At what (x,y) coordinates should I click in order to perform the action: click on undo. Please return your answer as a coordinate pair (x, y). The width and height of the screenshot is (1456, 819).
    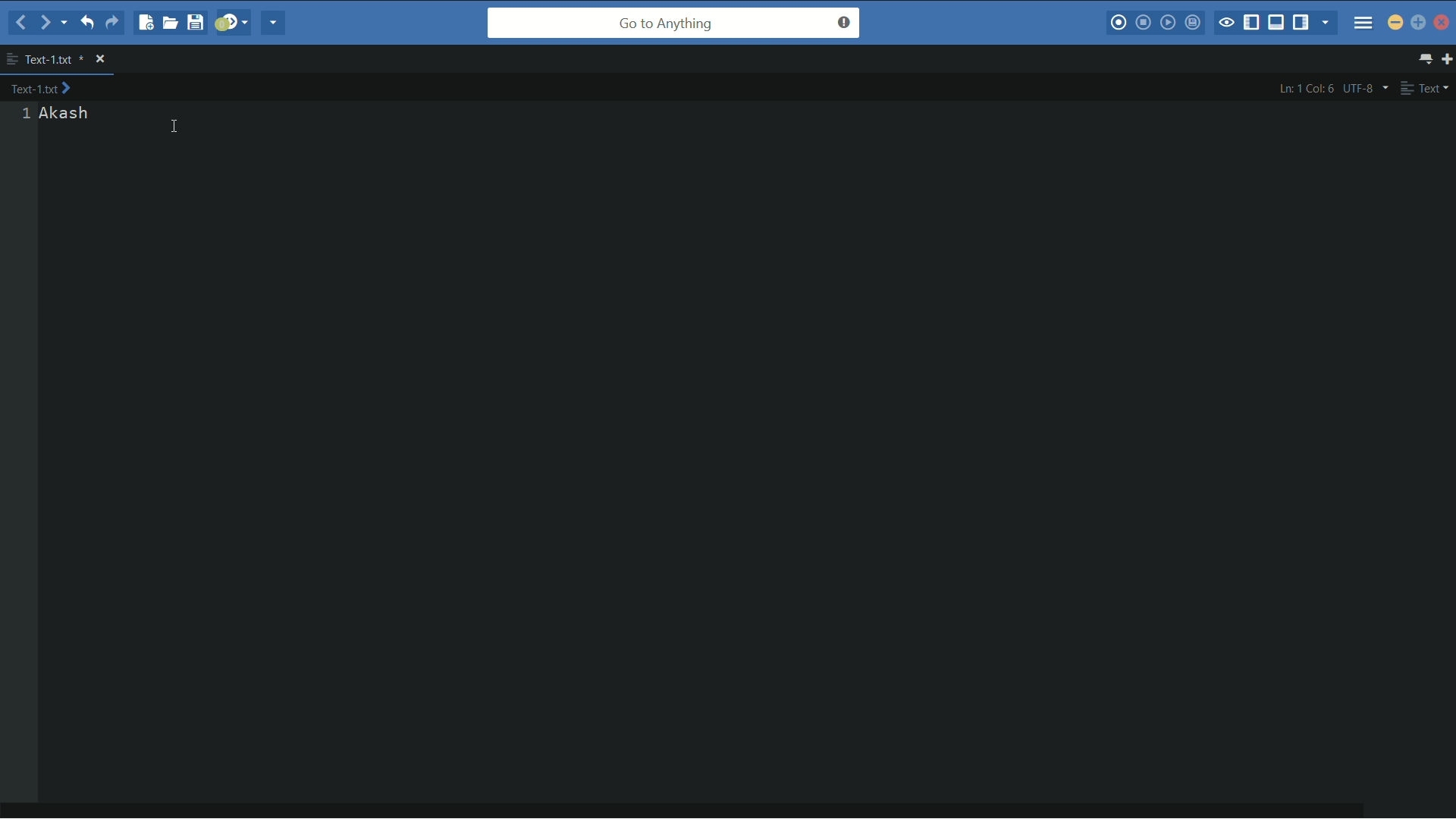
    Looking at the image, I should click on (85, 22).